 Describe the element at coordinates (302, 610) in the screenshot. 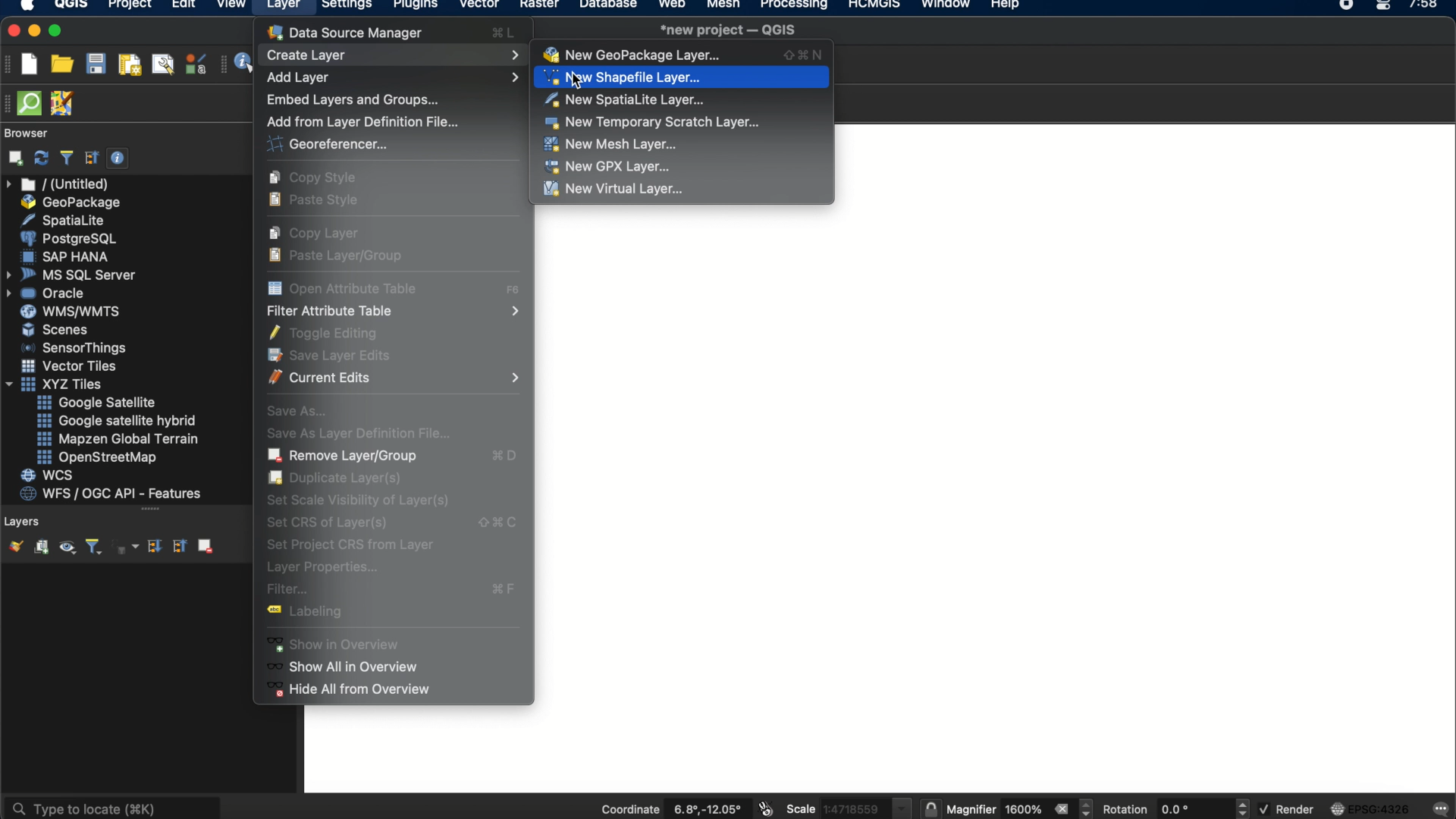

I see `labelling` at that location.